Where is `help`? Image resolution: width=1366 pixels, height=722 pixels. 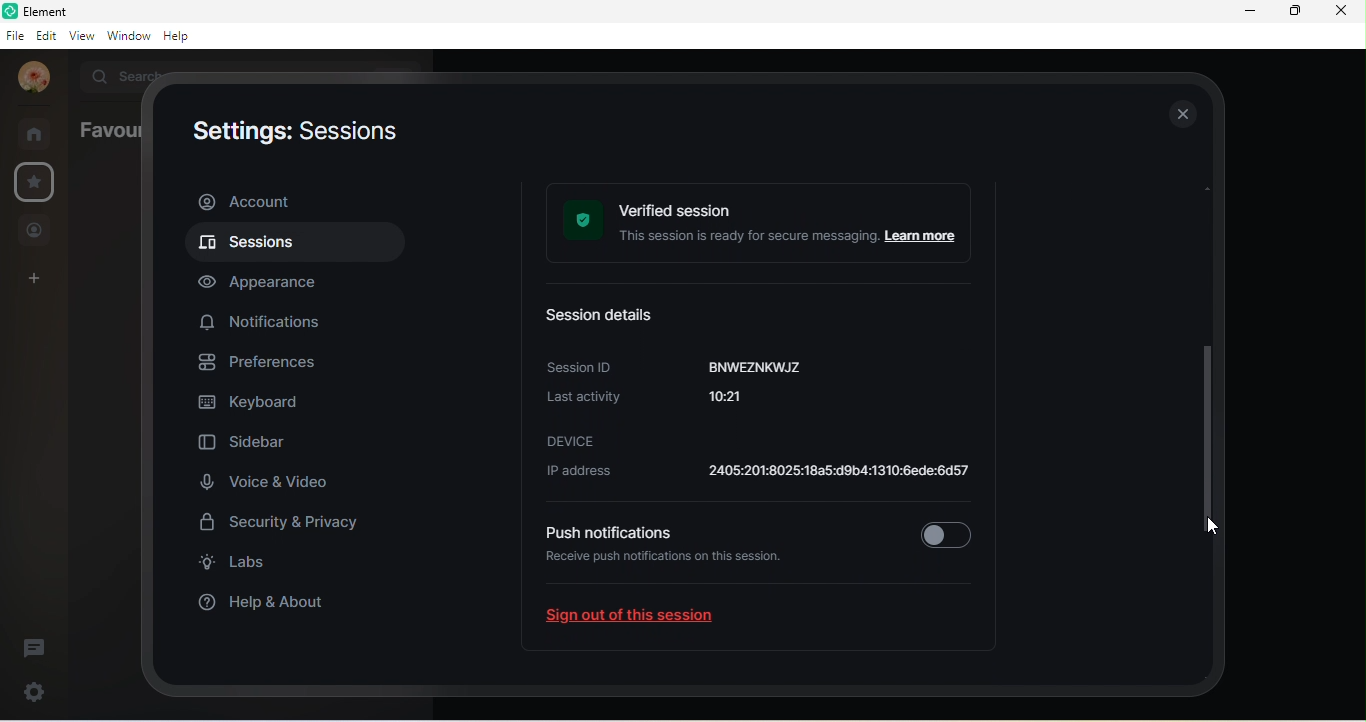 help is located at coordinates (181, 37).